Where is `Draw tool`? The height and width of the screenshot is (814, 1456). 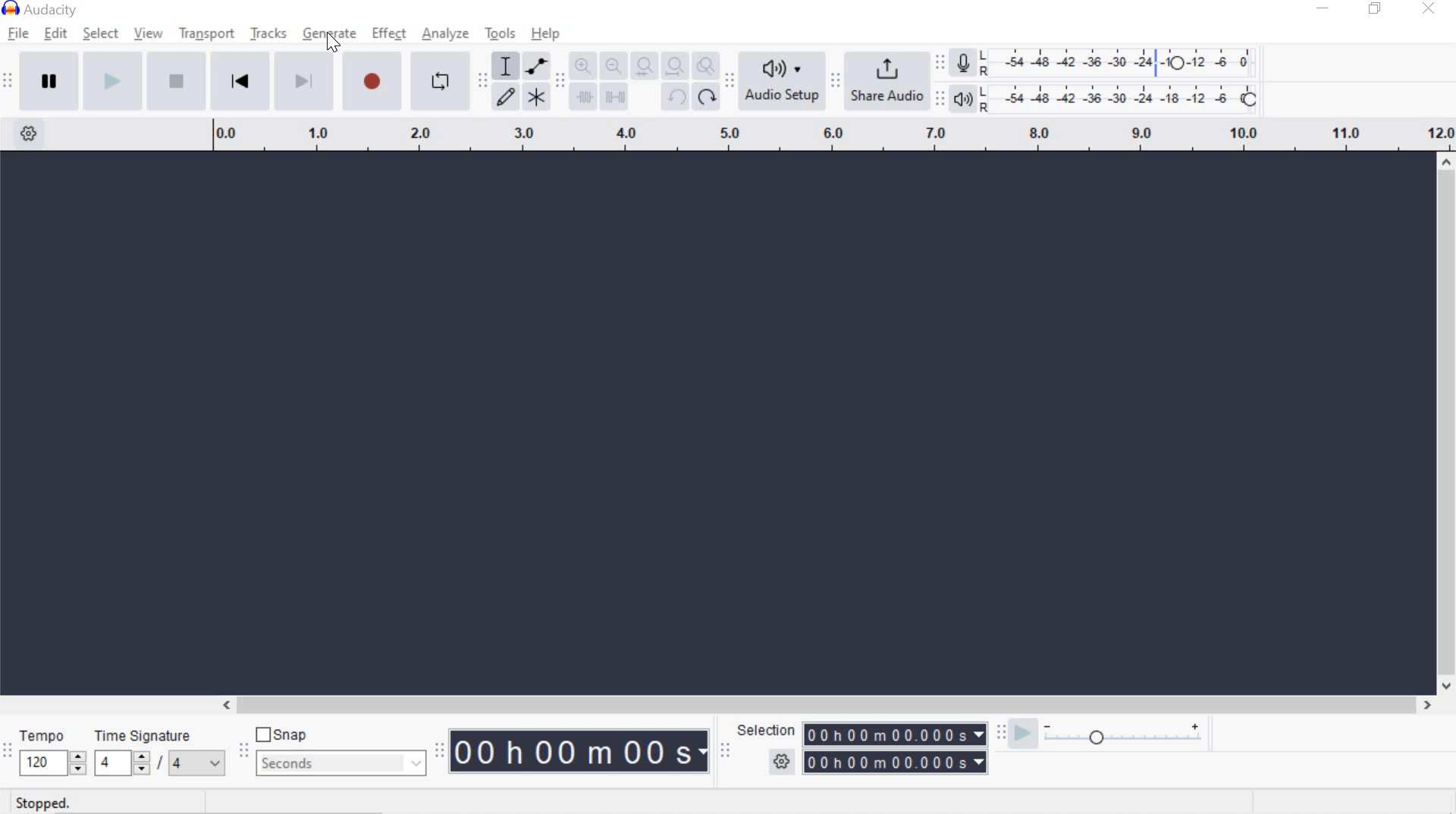
Draw tool is located at coordinates (507, 98).